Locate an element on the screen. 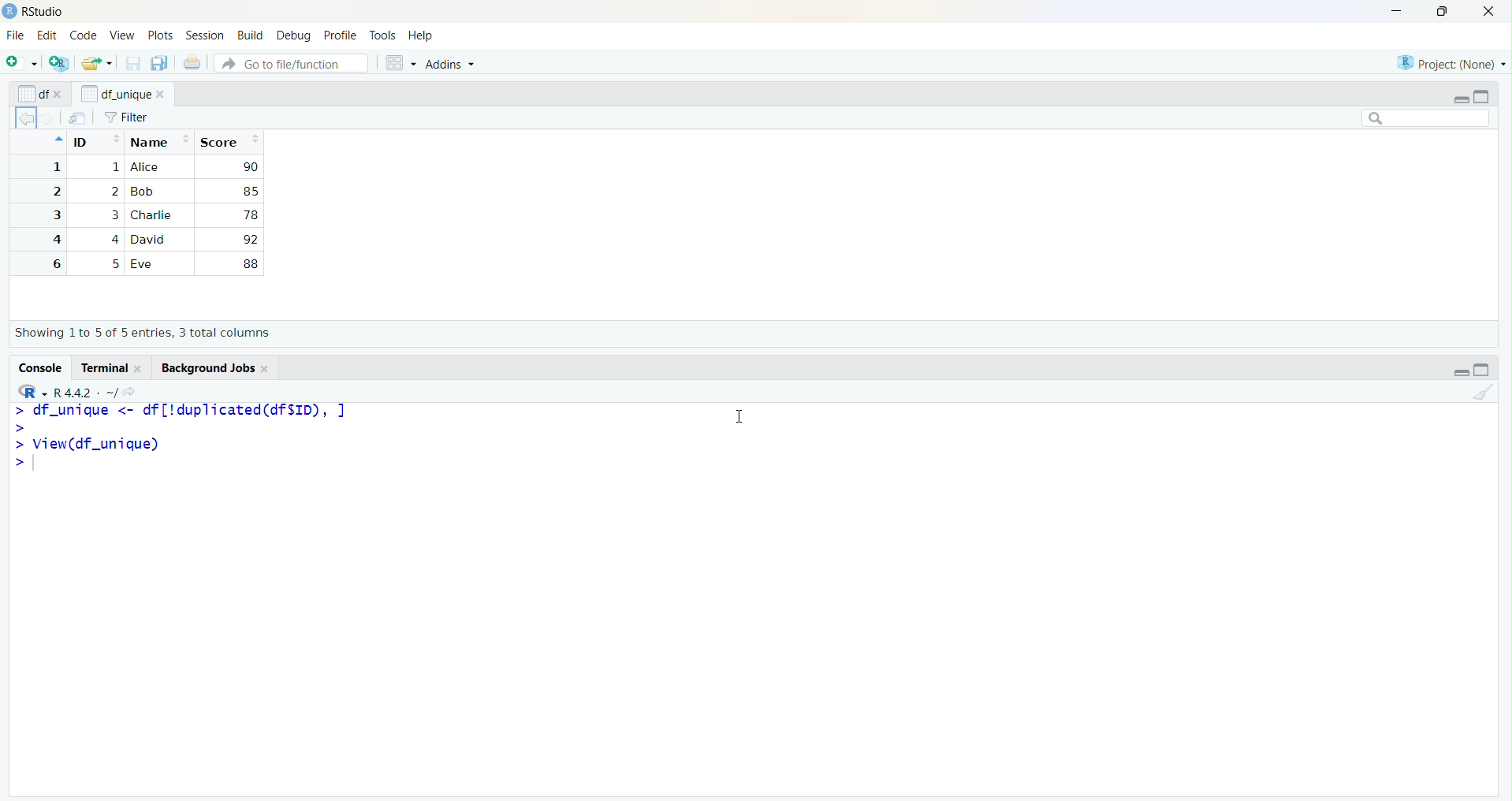 The height and width of the screenshot is (801, 1512). 3 is located at coordinates (54, 215).